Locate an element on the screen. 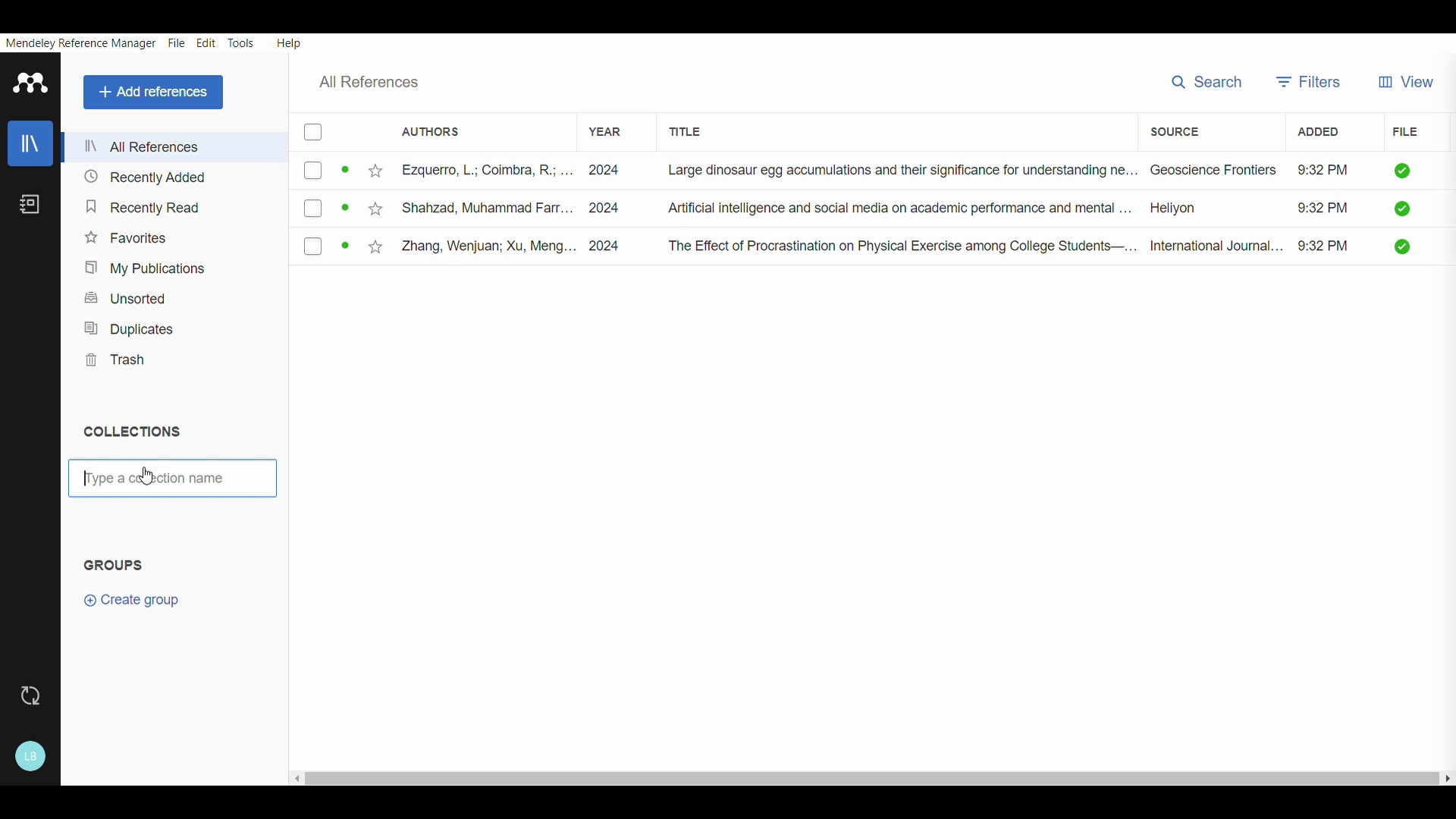  Recently Added is located at coordinates (142, 177).